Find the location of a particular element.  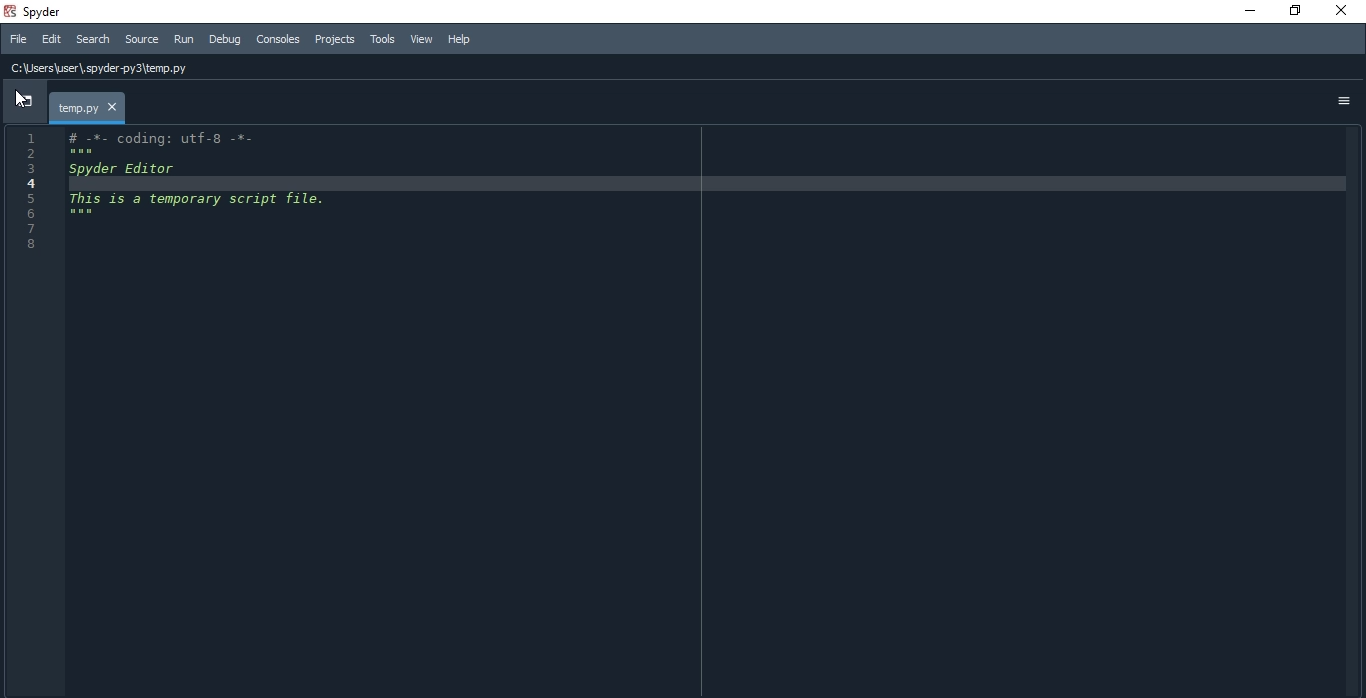

6 mew is located at coordinates (61, 214).